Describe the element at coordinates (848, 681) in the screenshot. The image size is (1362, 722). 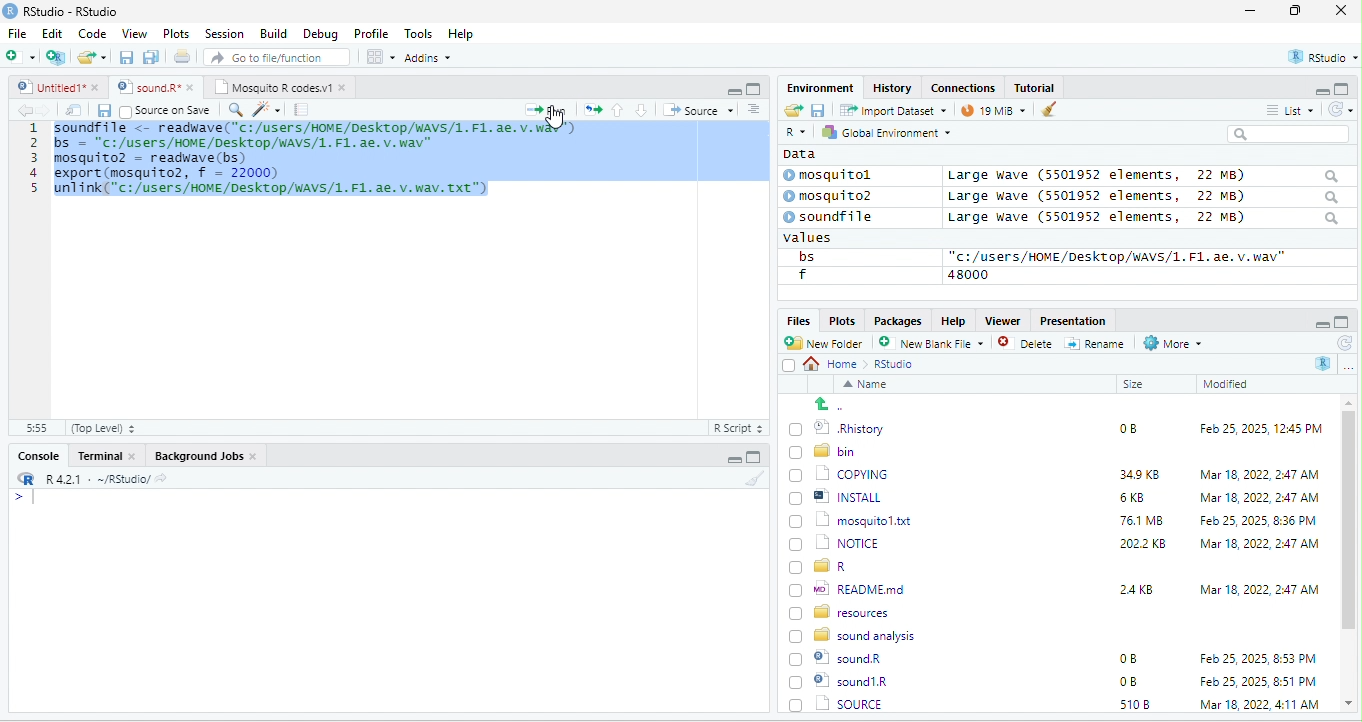
I see `| SOURCE` at that location.